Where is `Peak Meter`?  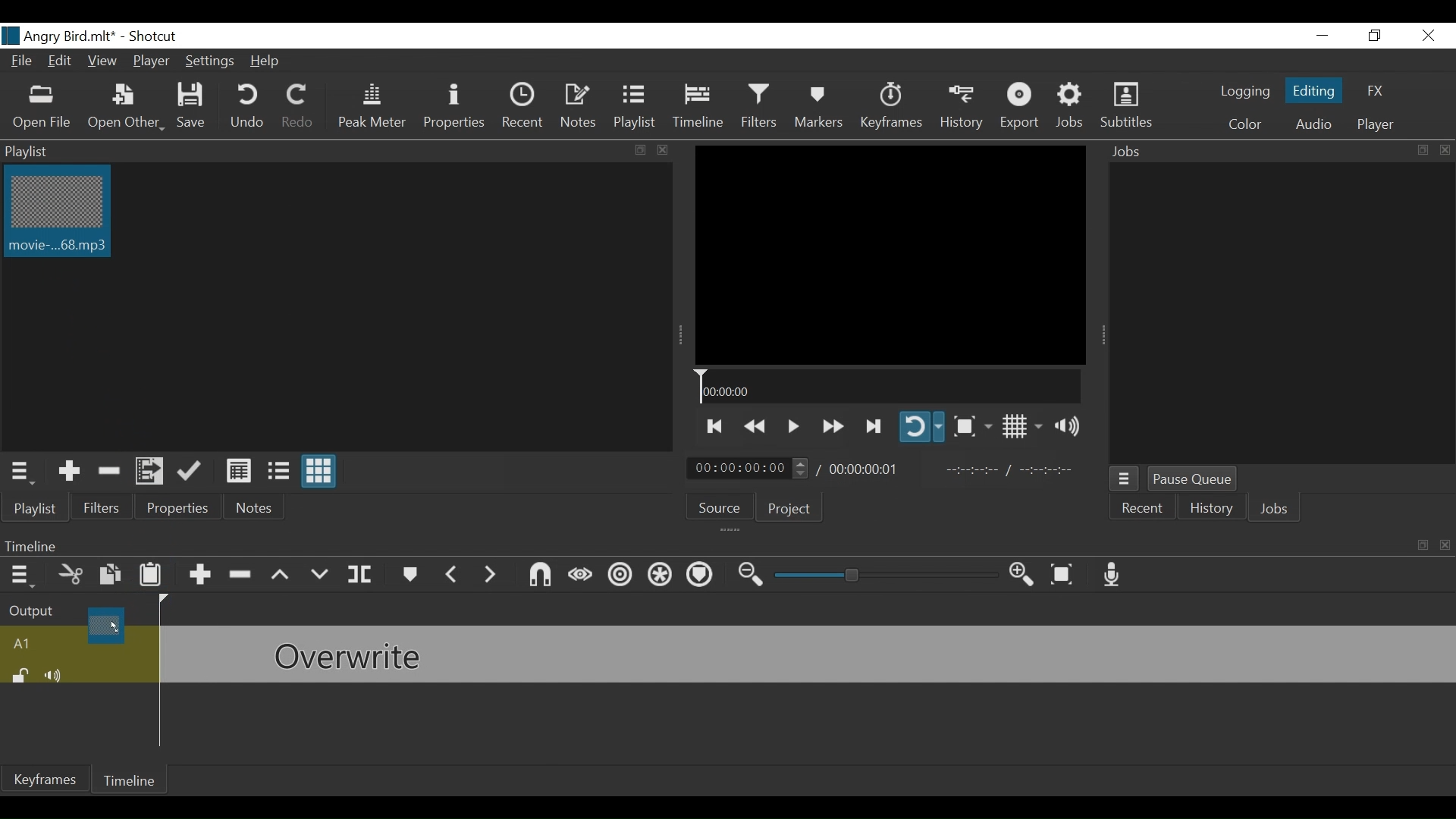 Peak Meter is located at coordinates (372, 106).